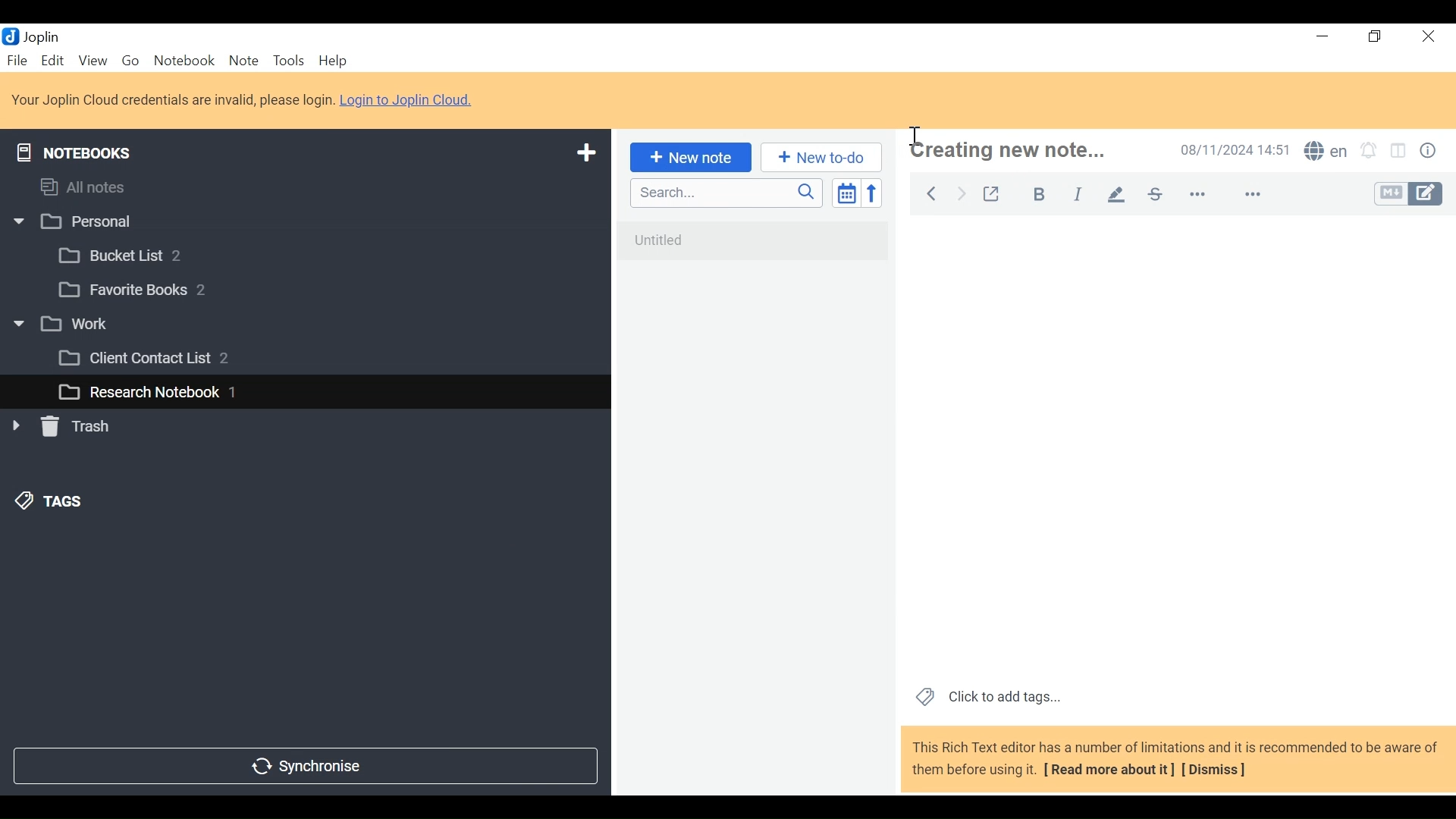 This screenshot has width=1456, height=819. Describe the element at coordinates (1321, 36) in the screenshot. I see `Minimize` at that location.